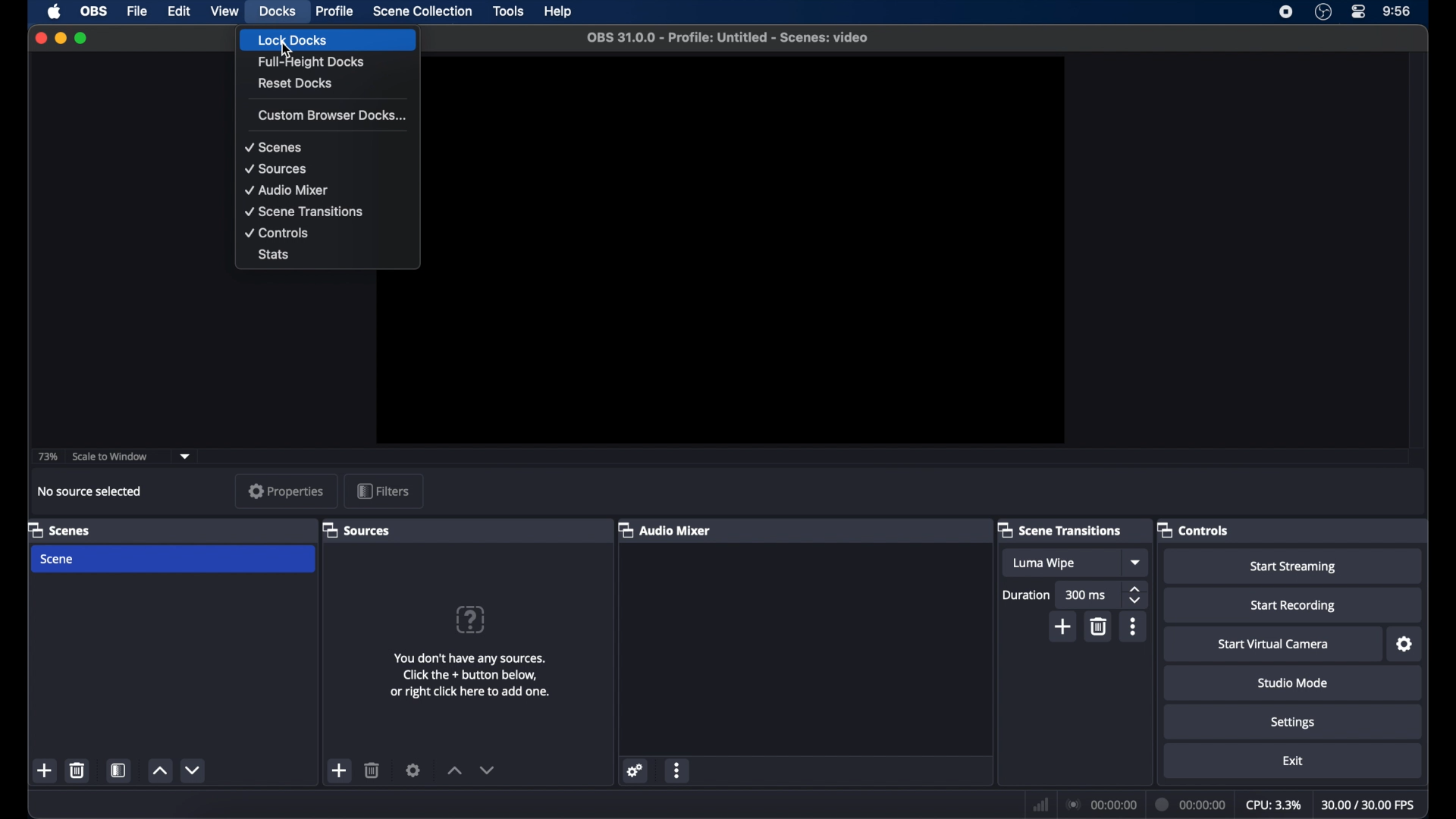 Image resolution: width=1456 pixels, height=819 pixels. What do you see at coordinates (111, 457) in the screenshot?
I see `scale to window` at bounding box center [111, 457].